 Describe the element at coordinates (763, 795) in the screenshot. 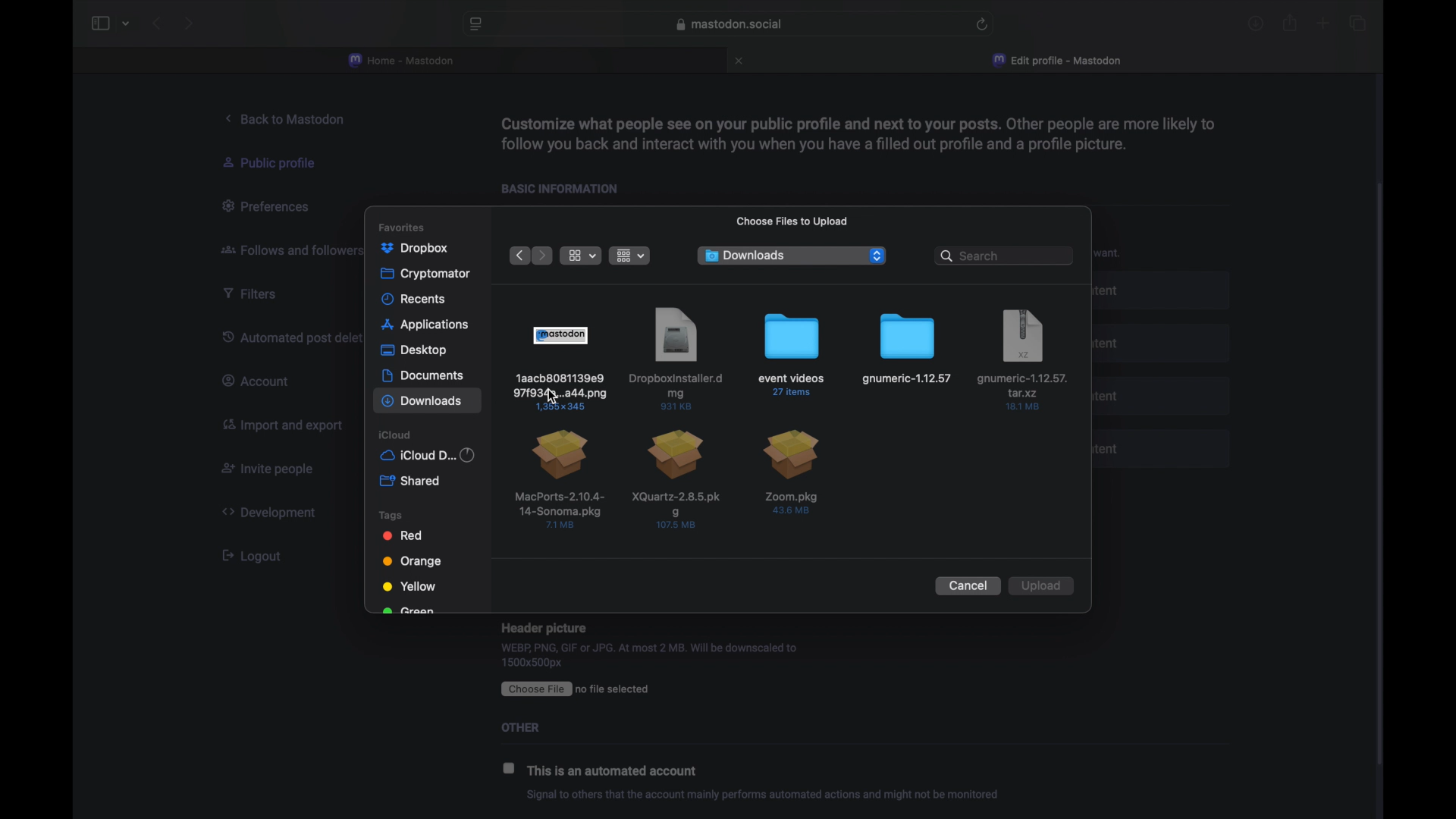

I see `info` at that location.